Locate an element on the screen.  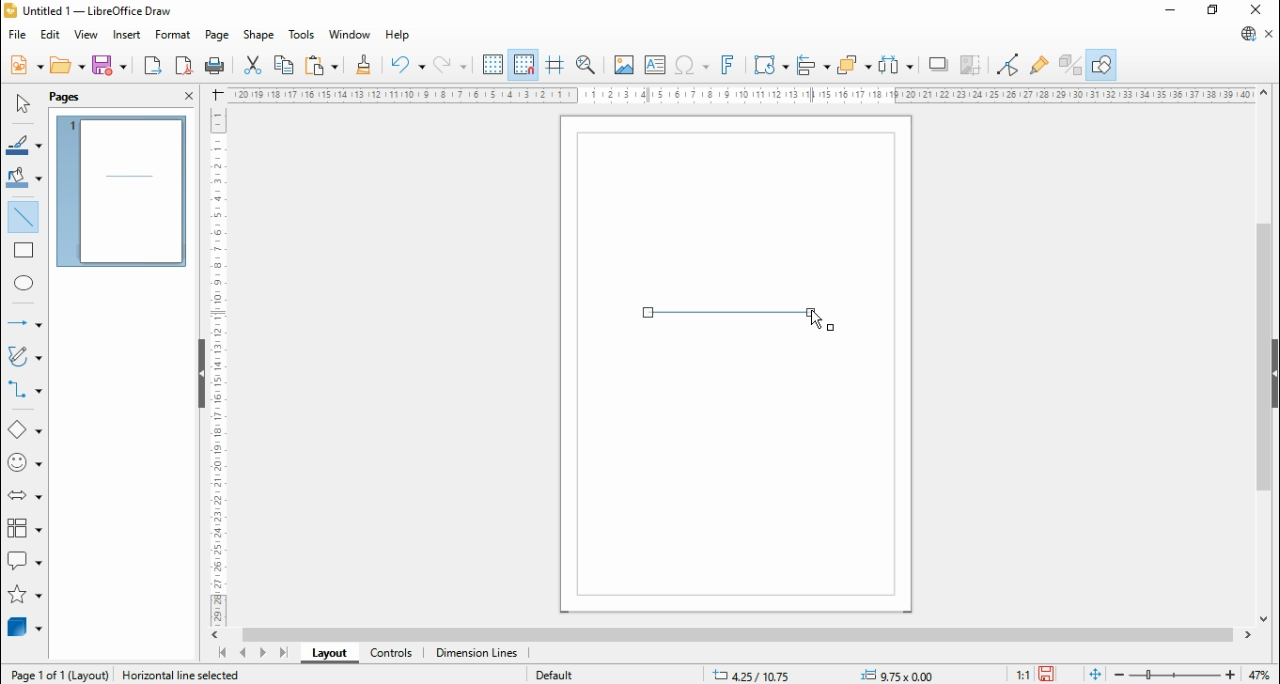
align objects is located at coordinates (815, 64).